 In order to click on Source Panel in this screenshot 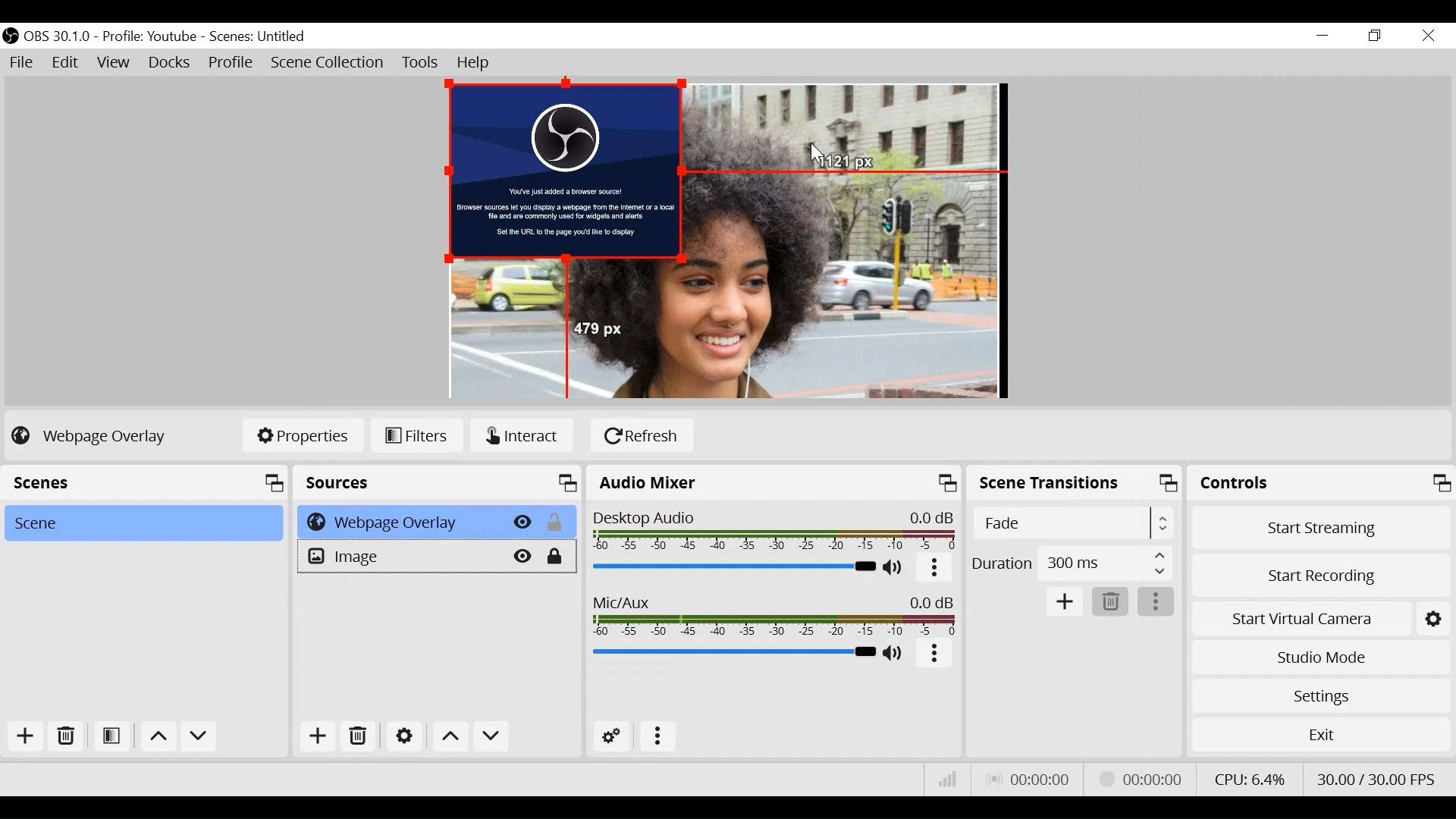, I will do `click(438, 484)`.